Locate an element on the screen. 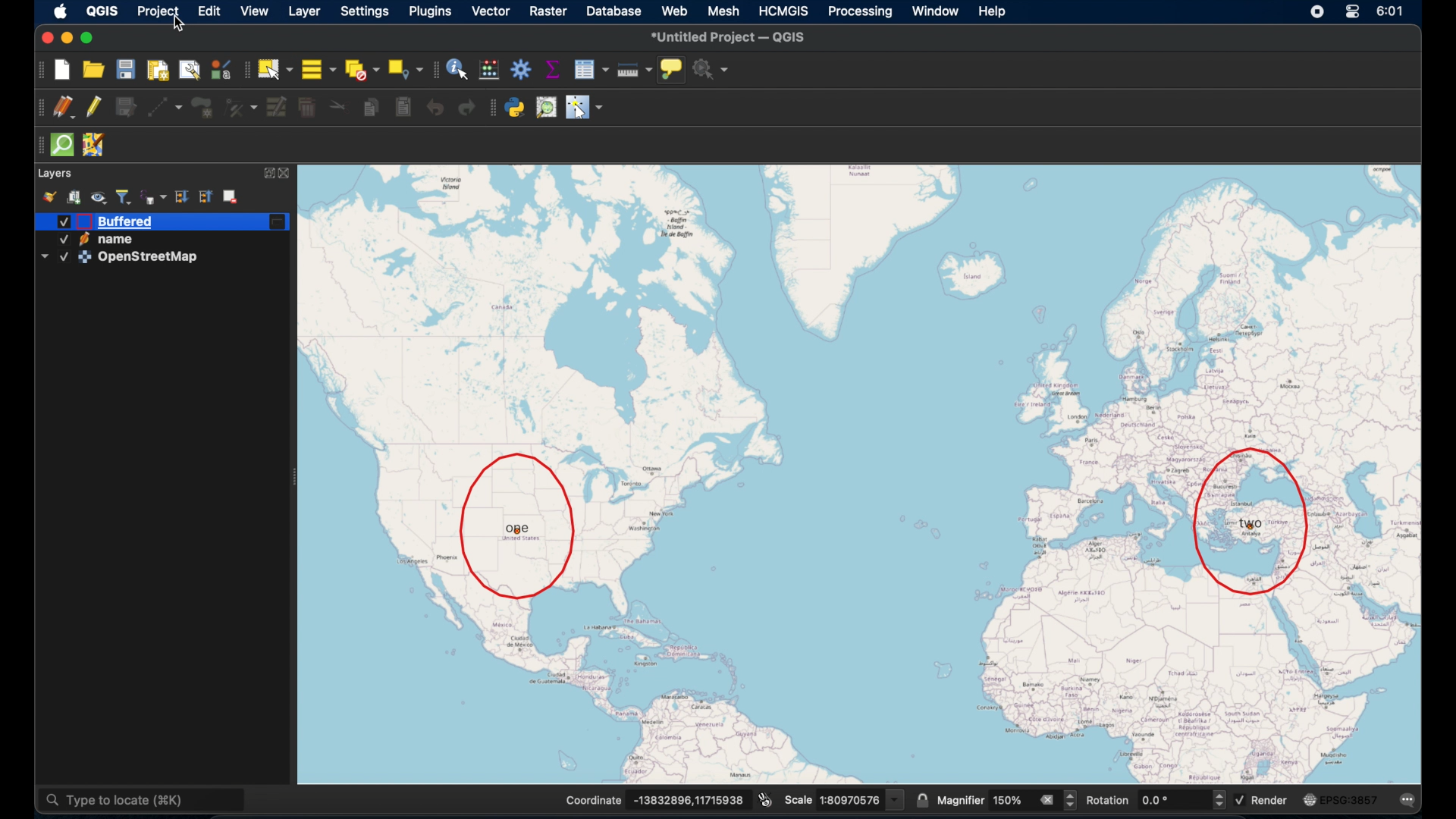 Image resolution: width=1456 pixels, height=819 pixels. edited layer icon is located at coordinates (280, 223).